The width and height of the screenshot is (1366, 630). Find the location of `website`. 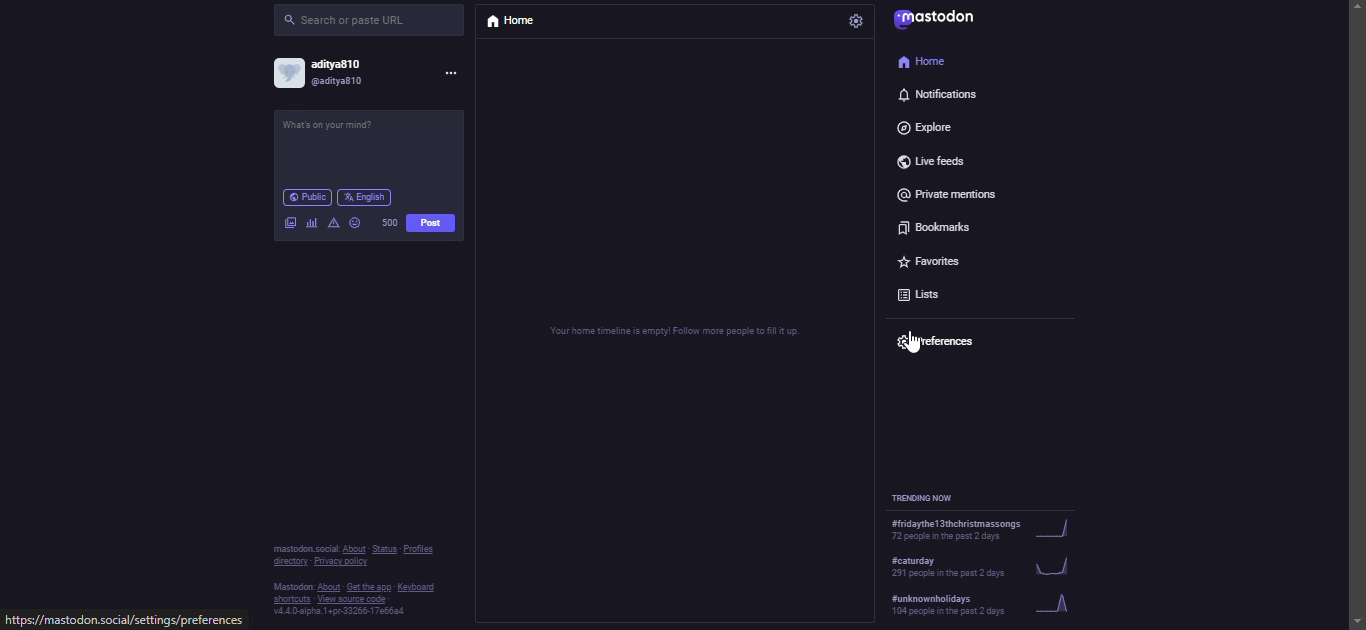

website is located at coordinates (125, 620).